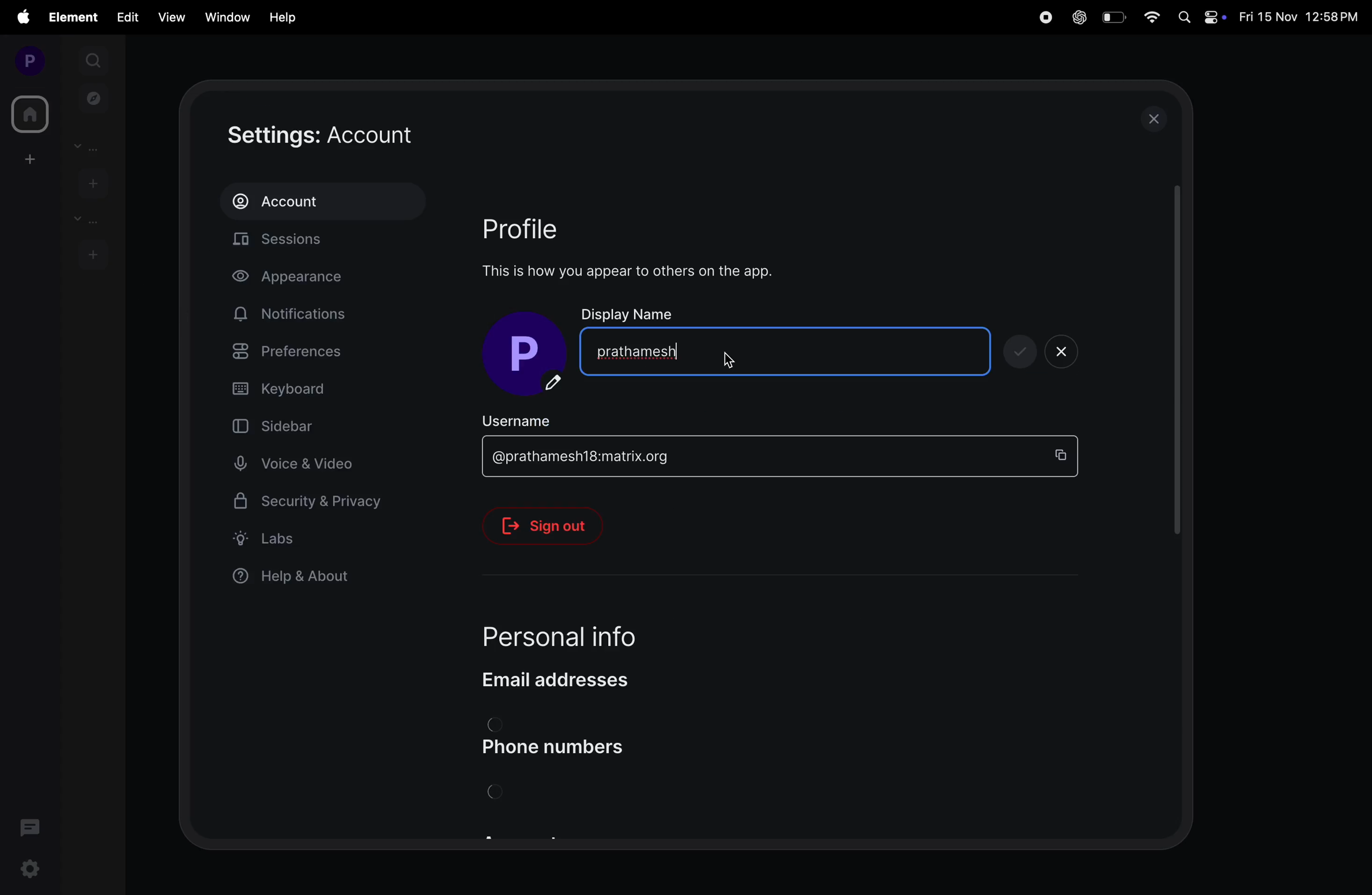  Describe the element at coordinates (533, 419) in the screenshot. I see `username` at that location.